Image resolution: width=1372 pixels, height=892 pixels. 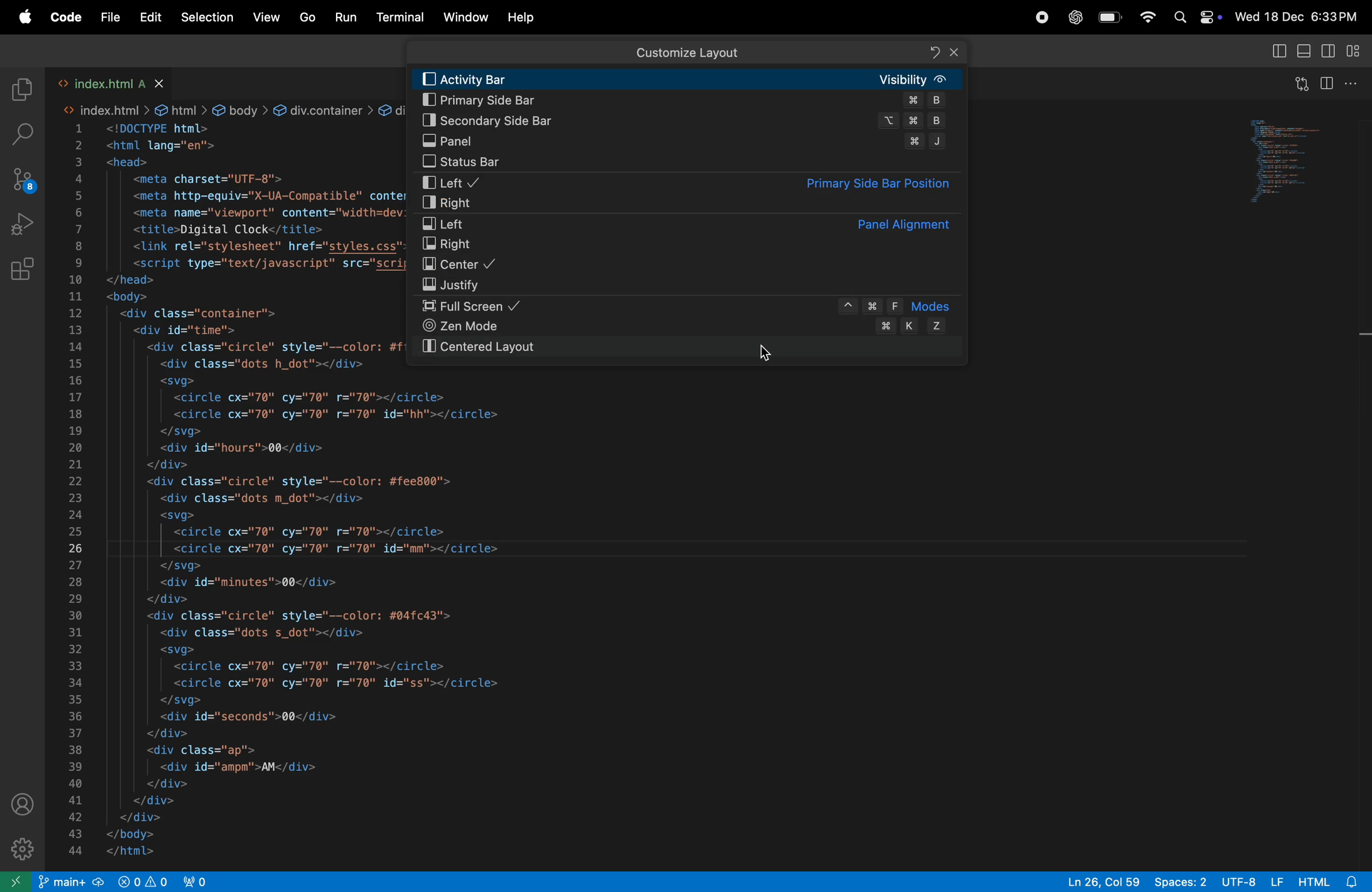 I want to click on zen mode, so click(x=691, y=327).